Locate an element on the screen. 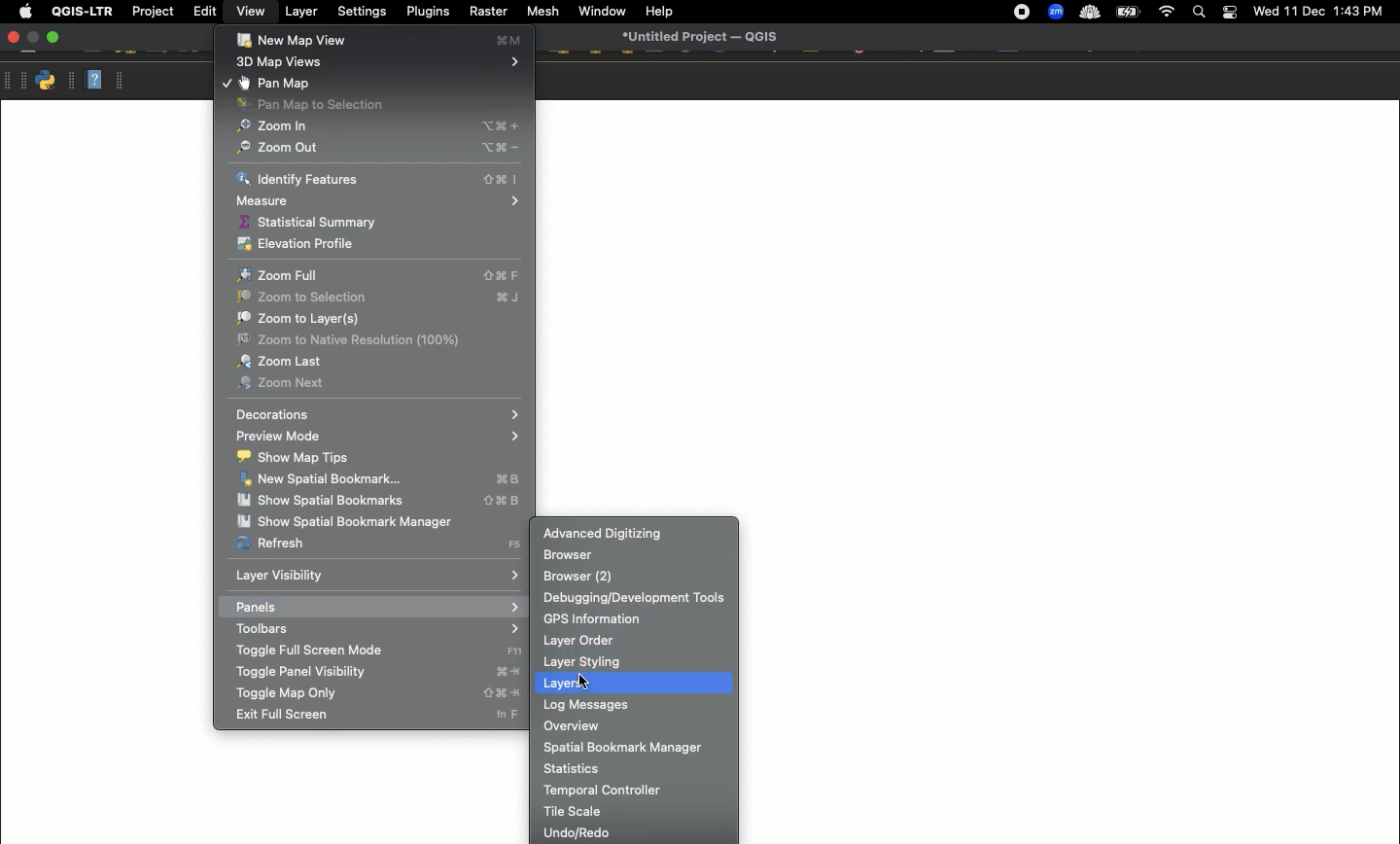 The image size is (1400, 844). Toggle maps only is located at coordinates (373, 694).